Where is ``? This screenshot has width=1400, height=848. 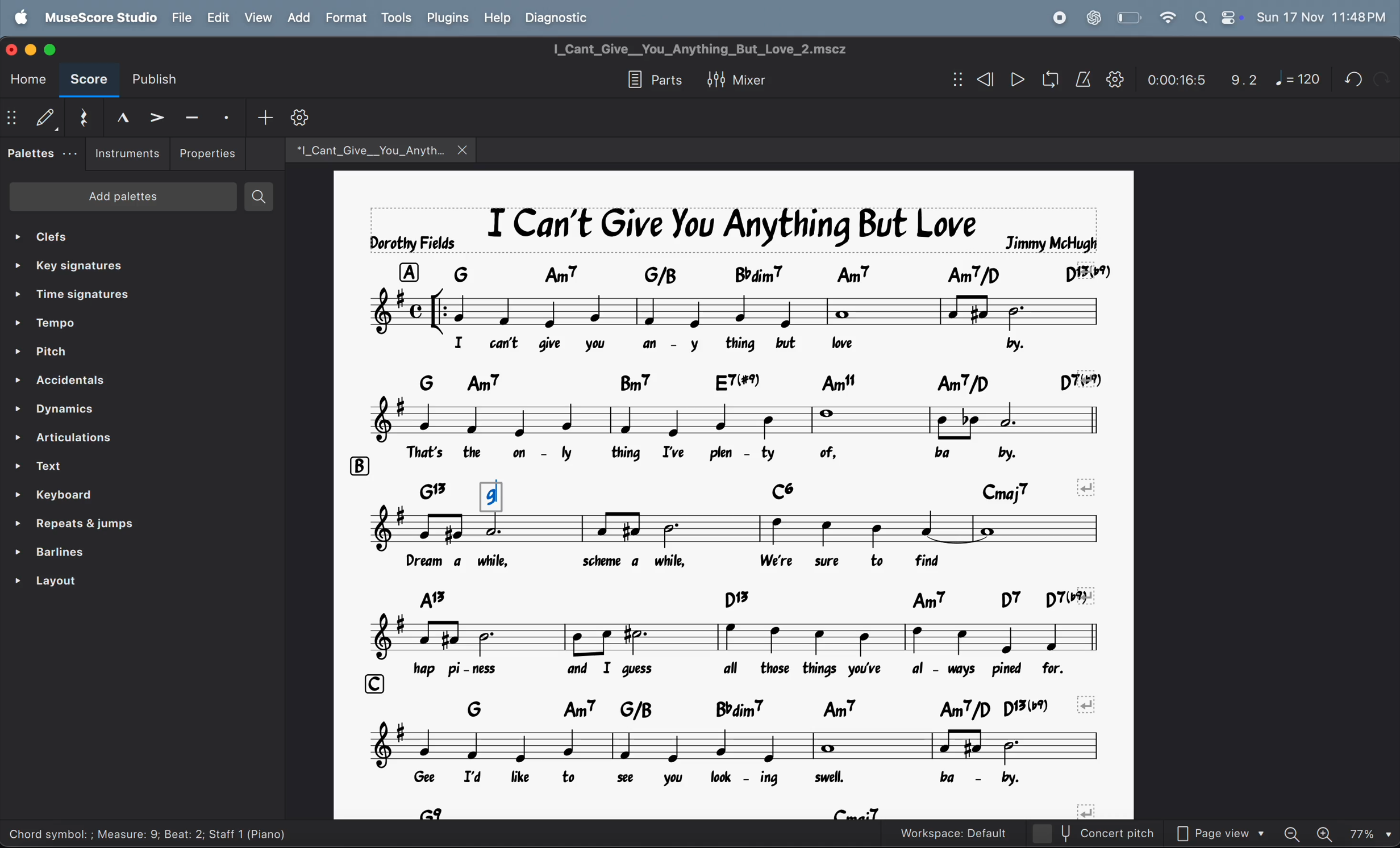
 is located at coordinates (748, 705).